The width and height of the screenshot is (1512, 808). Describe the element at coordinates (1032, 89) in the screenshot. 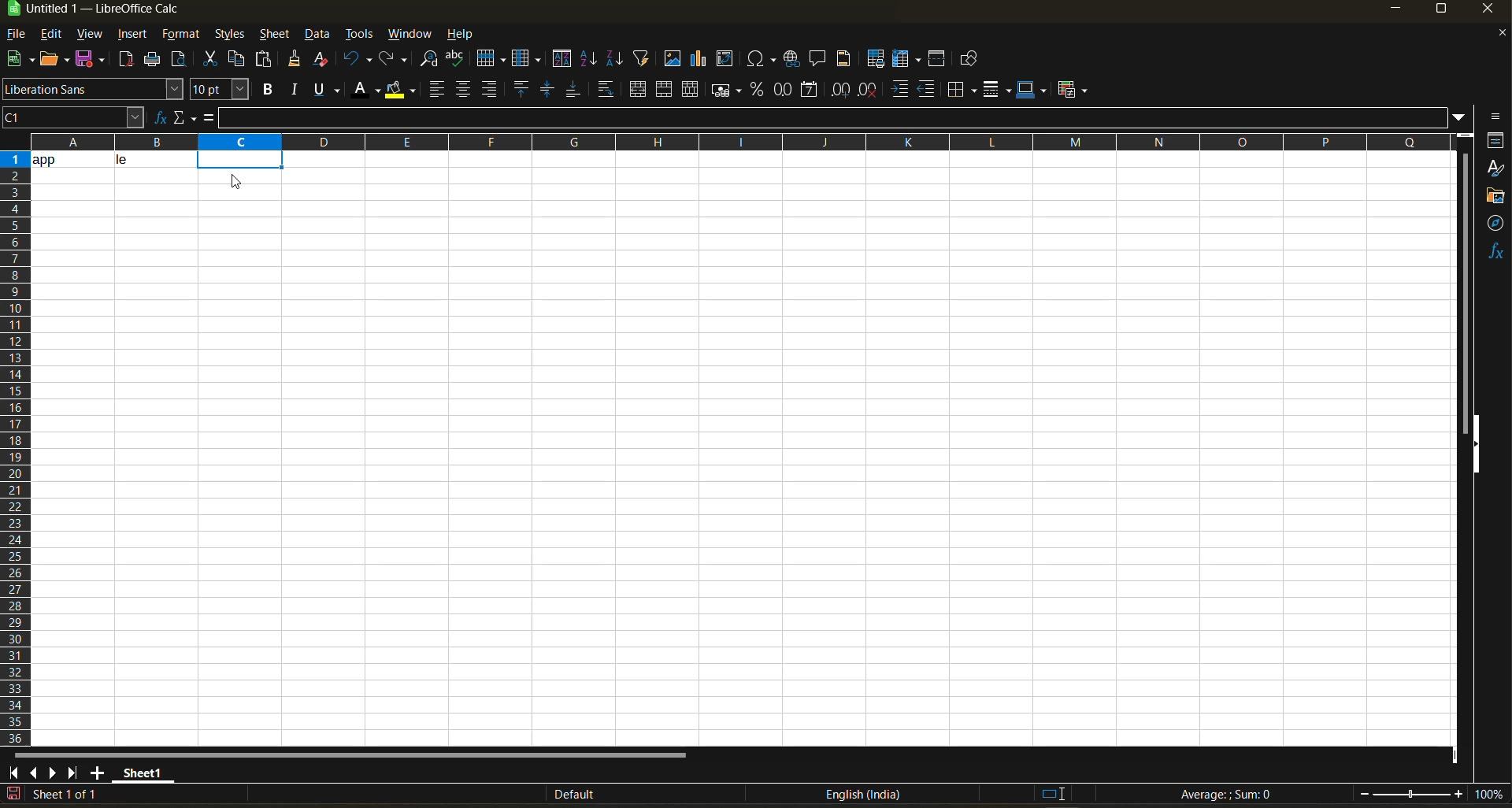

I see `border color` at that location.